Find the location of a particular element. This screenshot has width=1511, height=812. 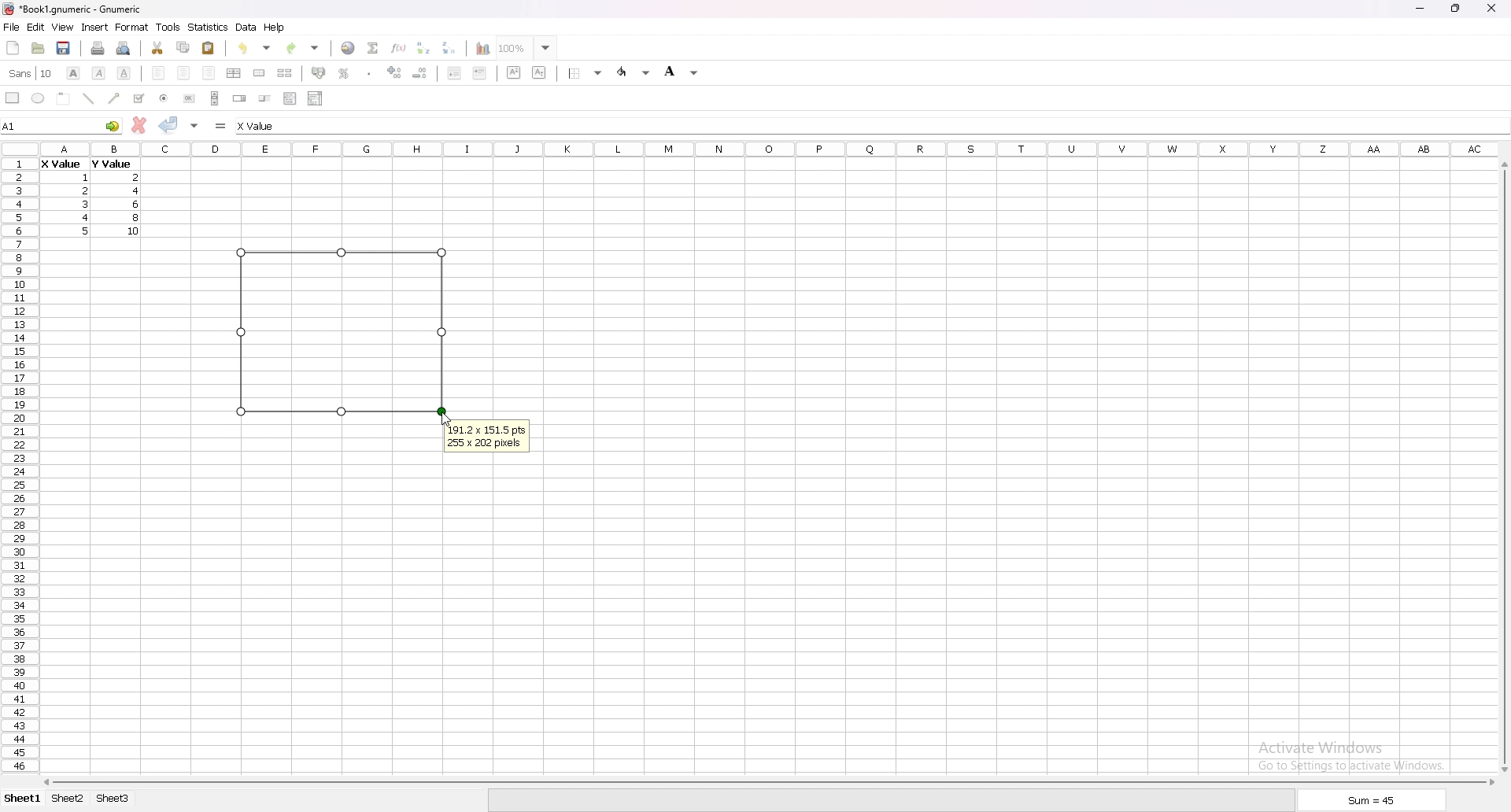

spin button is located at coordinates (240, 98).